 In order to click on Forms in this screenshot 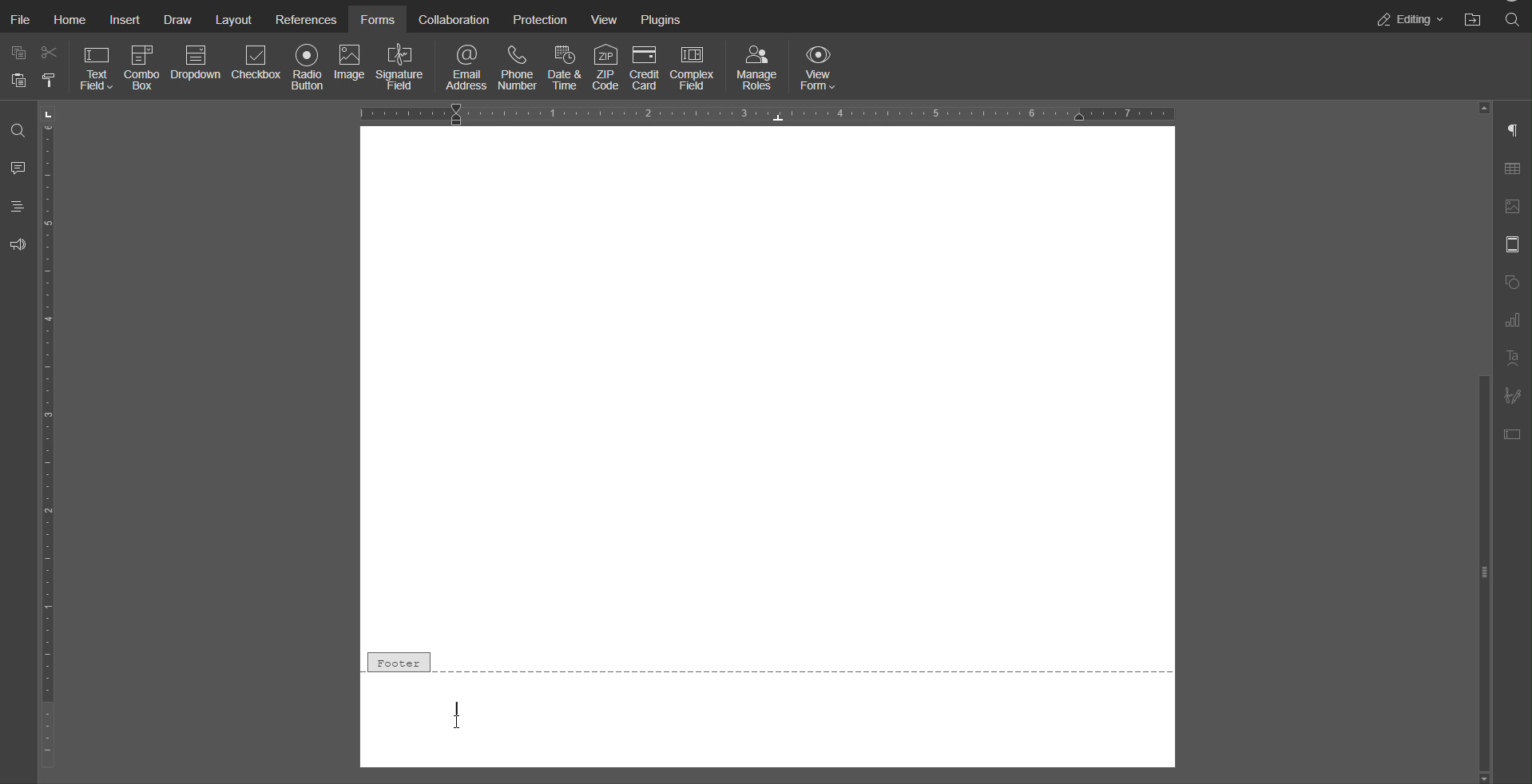, I will do `click(376, 18)`.